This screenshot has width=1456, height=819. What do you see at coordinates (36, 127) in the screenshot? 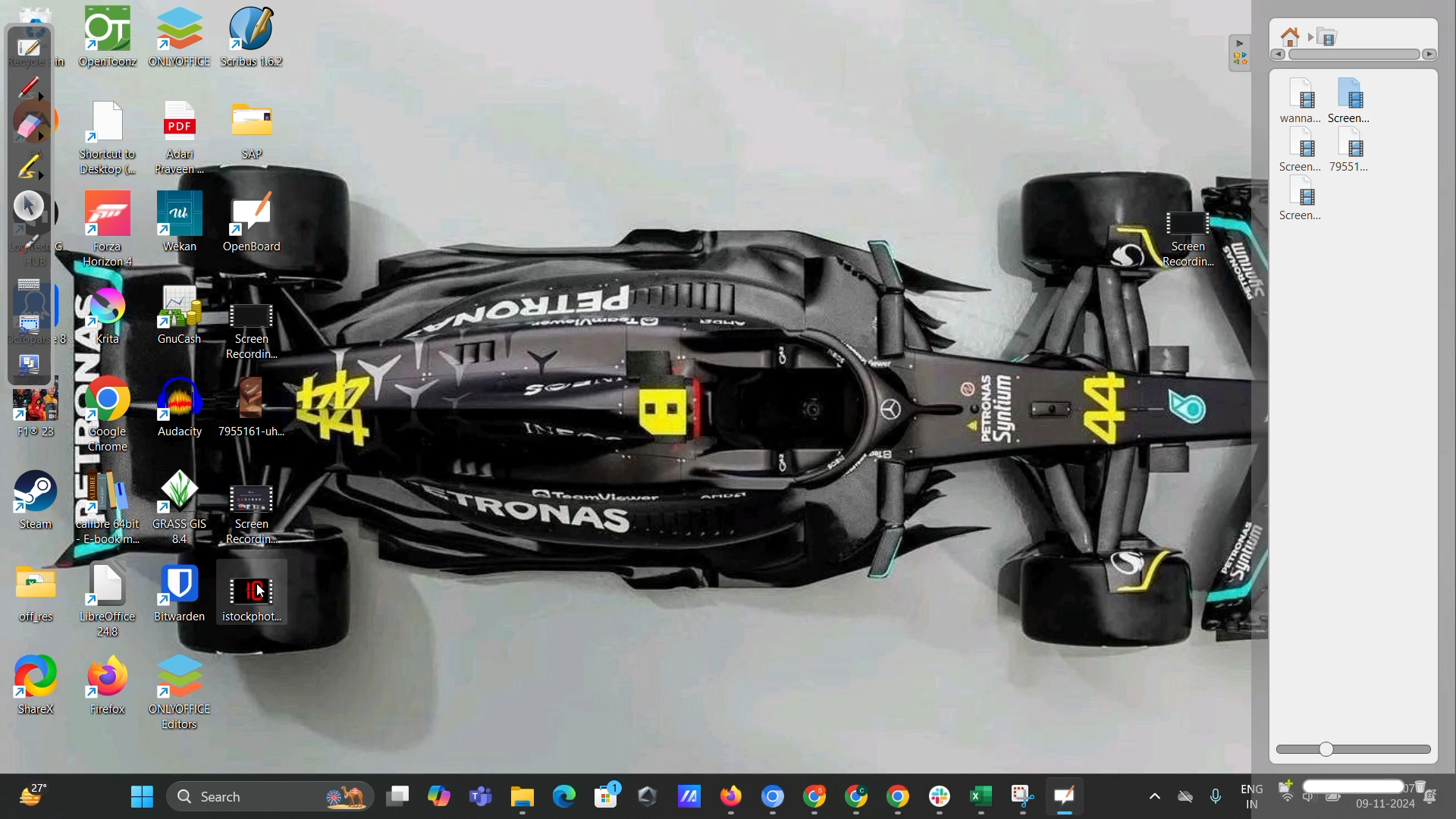
I see `erase annotation` at bounding box center [36, 127].